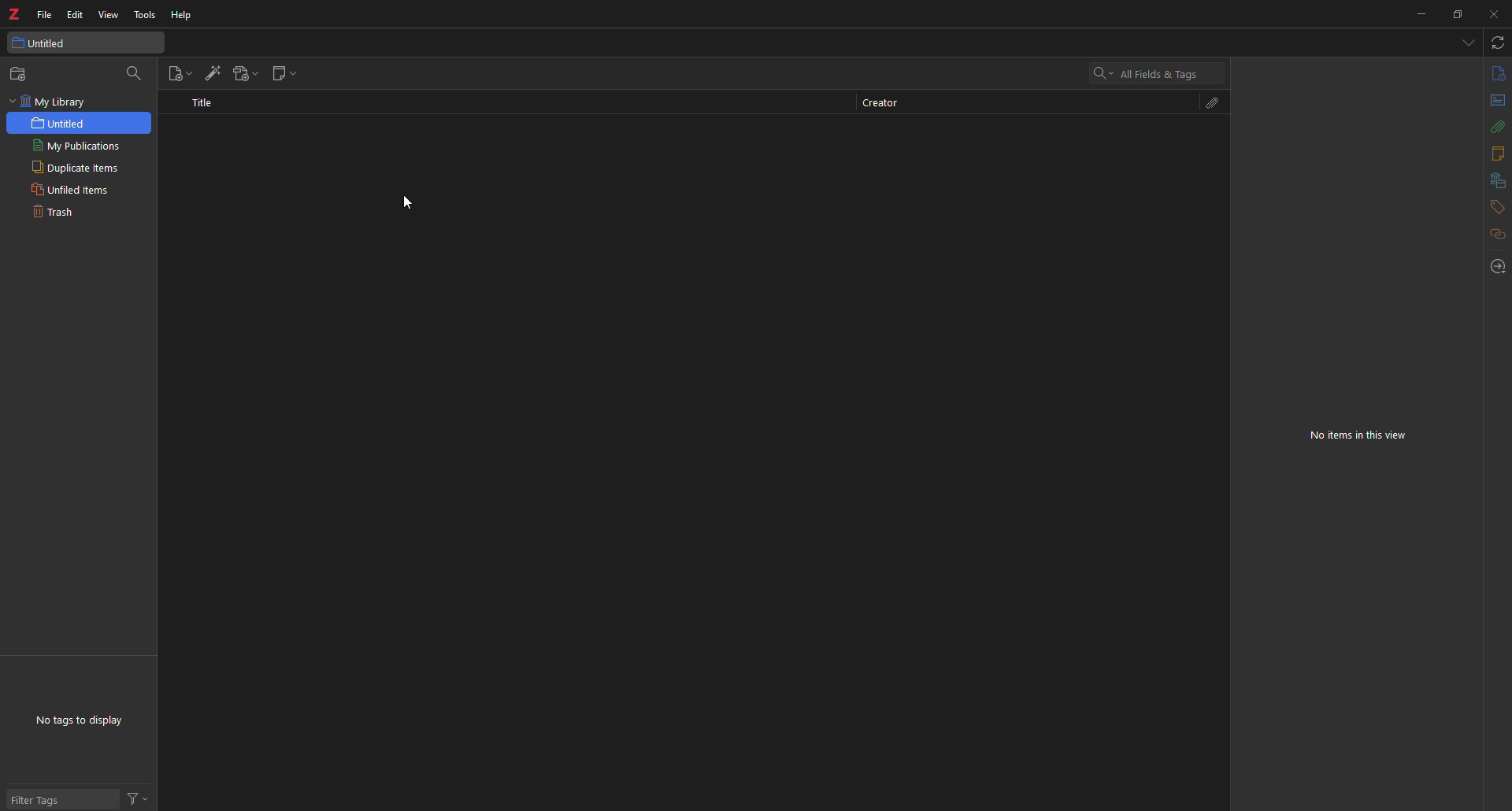 The height and width of the screenshot is (811, 1512). I want to click on trash, so click(55, 214).